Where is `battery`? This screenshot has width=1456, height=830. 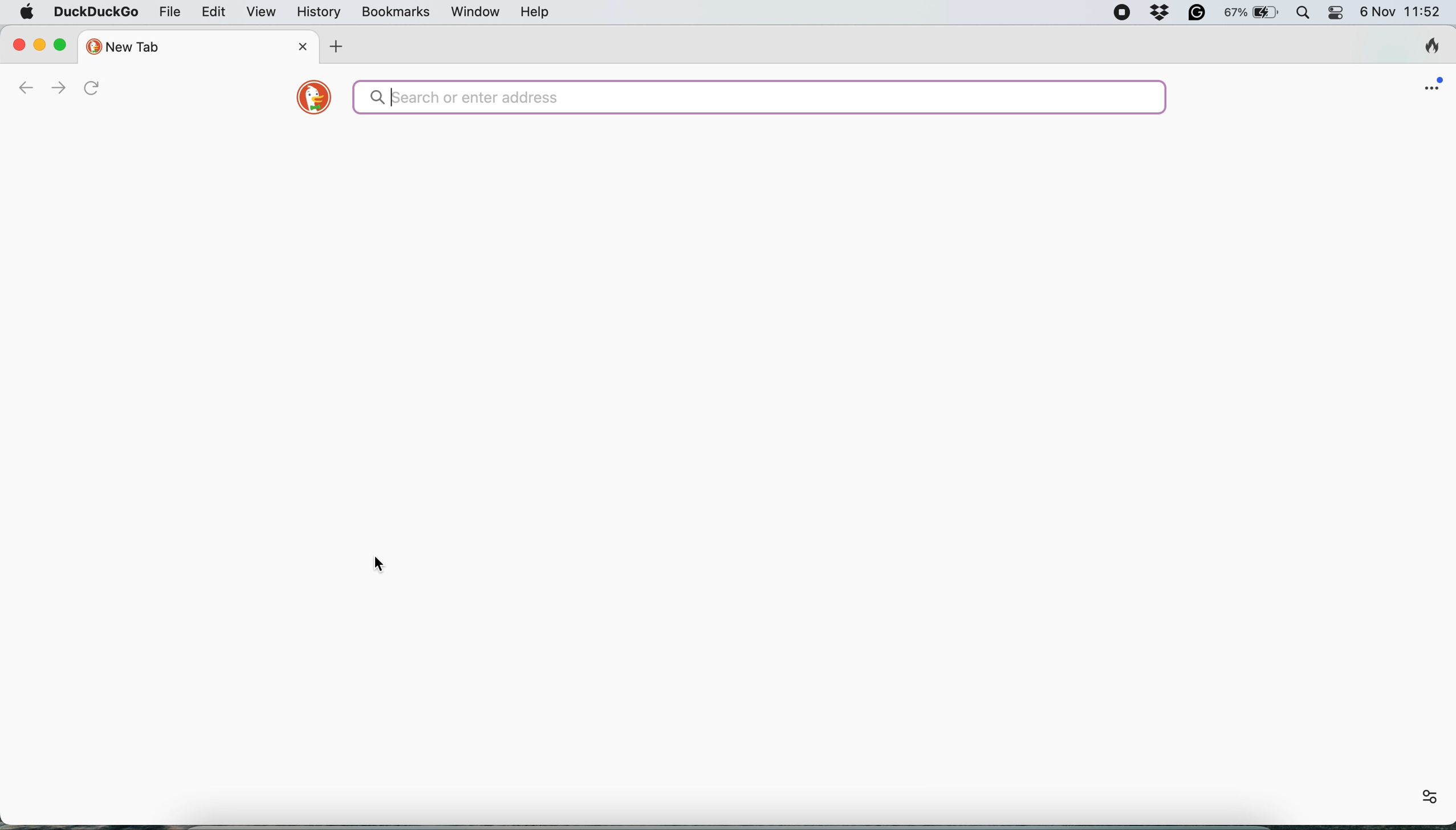
battery is located at coordinates (1254, 13).